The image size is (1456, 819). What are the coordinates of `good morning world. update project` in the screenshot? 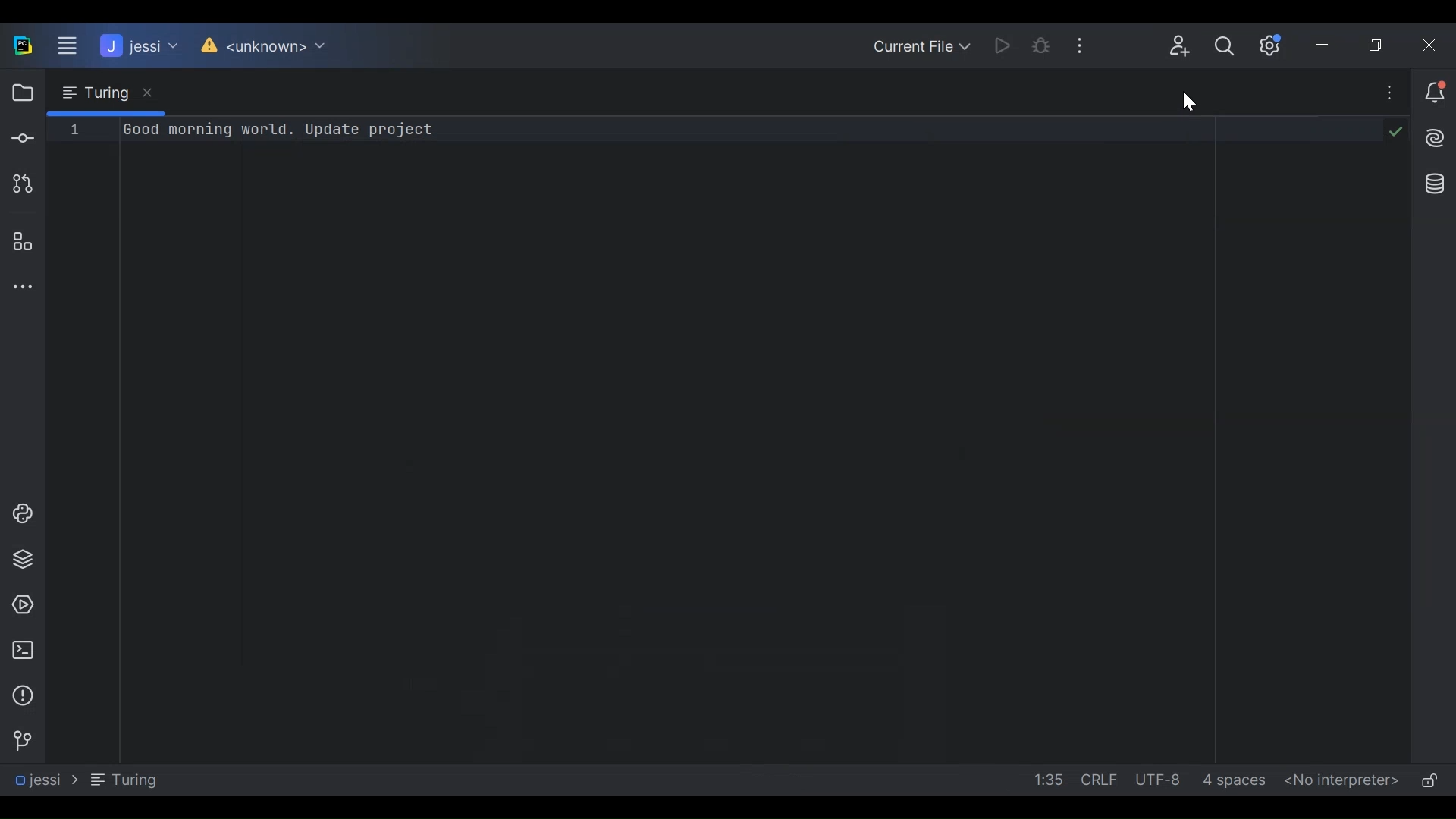 It's located at (278, 132).